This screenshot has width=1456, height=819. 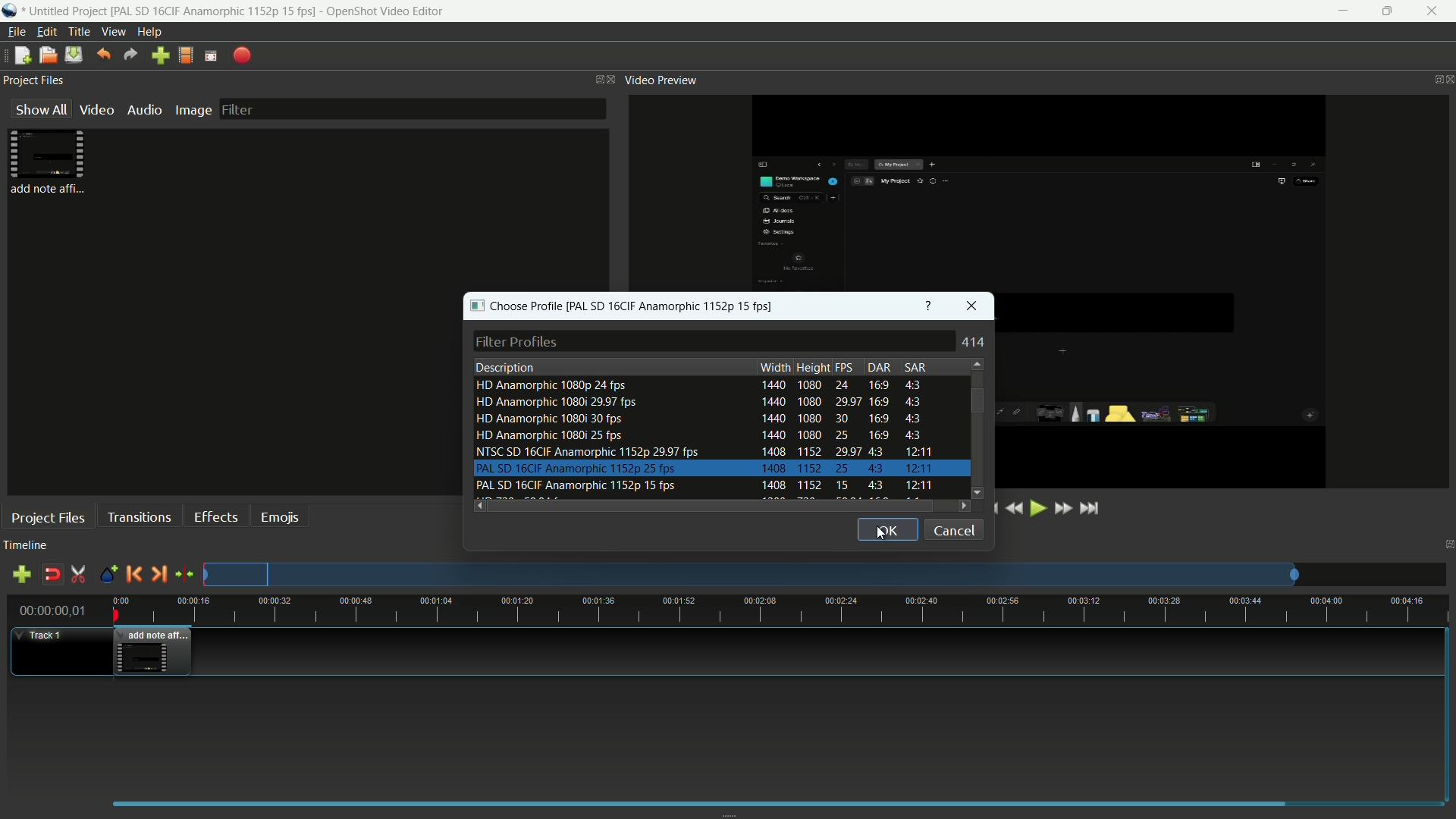 What do you see at coordinates (187, 55) in the screenshot?
I see `profile` at bounding box center [187, 55].